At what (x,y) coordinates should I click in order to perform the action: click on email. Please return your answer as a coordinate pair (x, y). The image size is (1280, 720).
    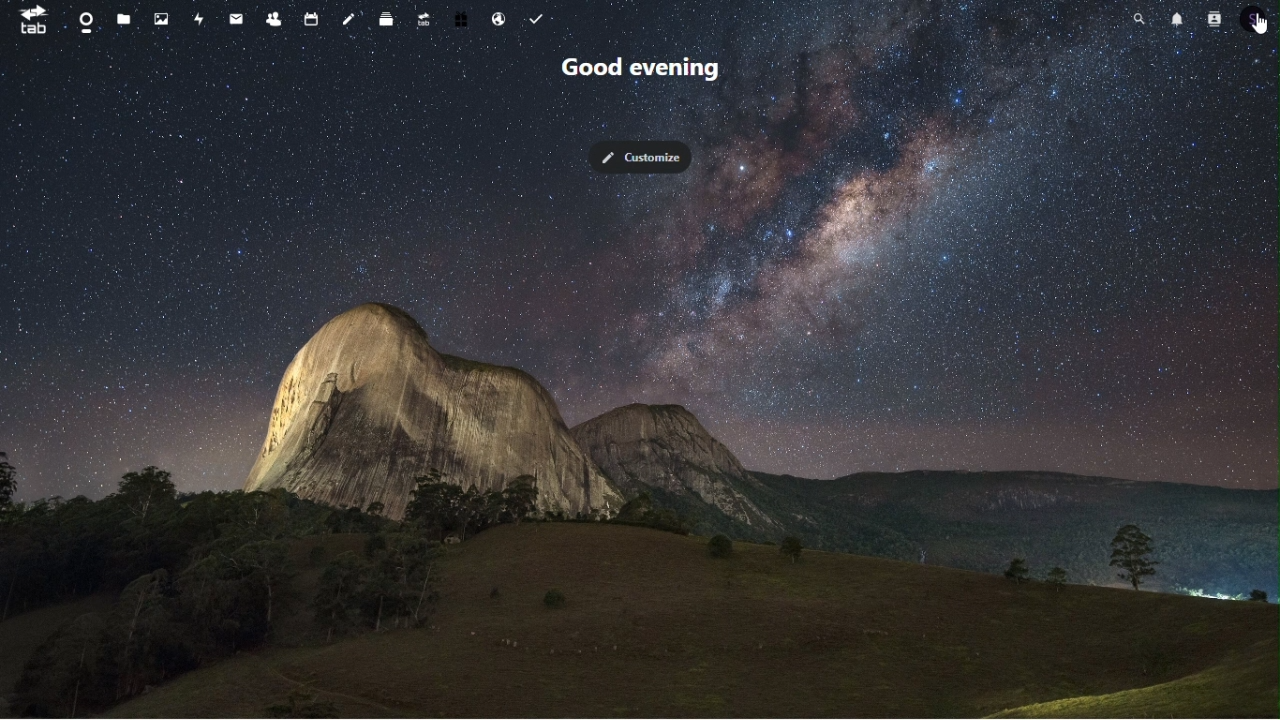
    Looking at the image, I should click on (234, 17).